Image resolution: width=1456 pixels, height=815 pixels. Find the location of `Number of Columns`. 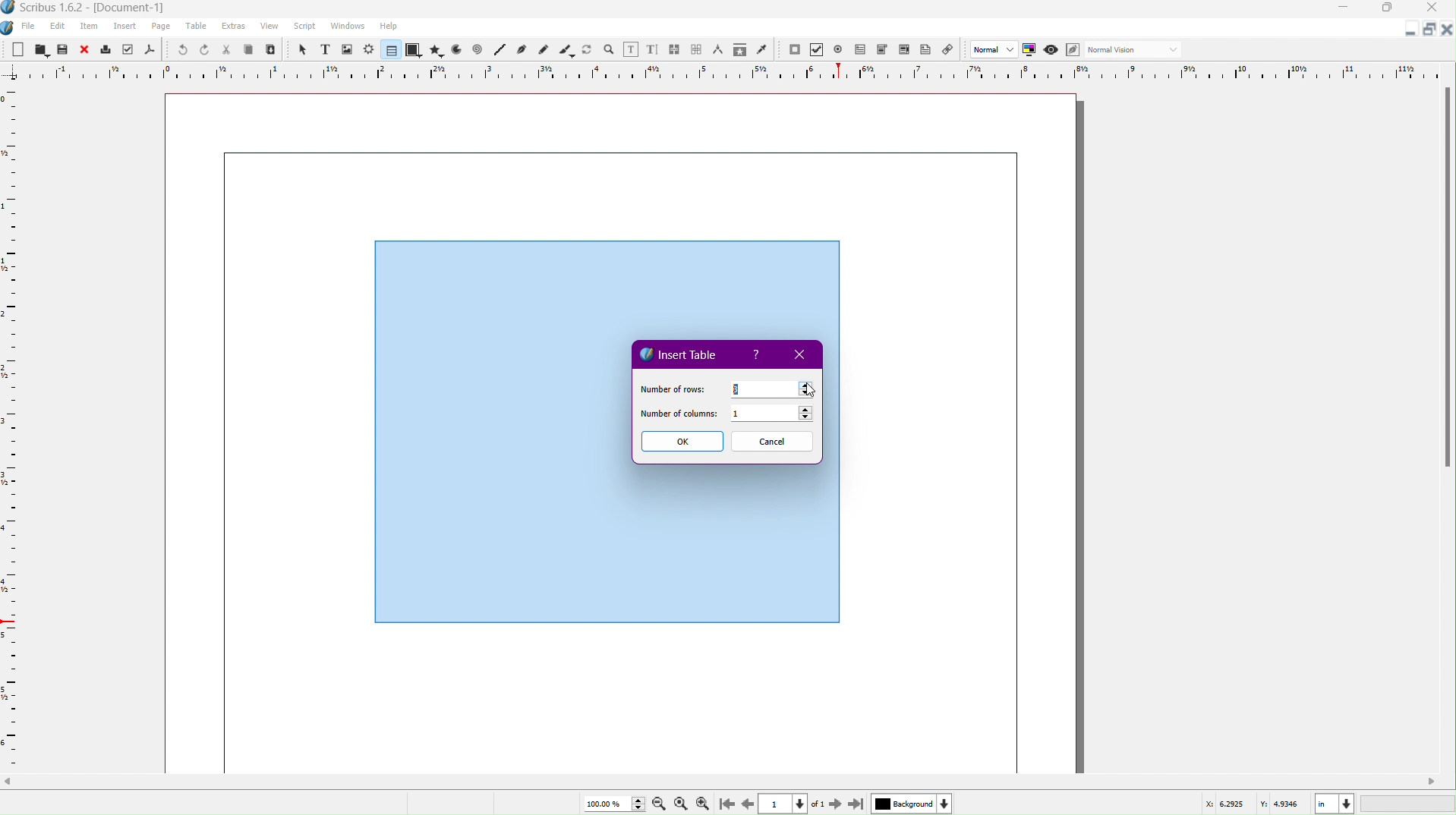

Number of Columns is located at coordinates (680, 415).